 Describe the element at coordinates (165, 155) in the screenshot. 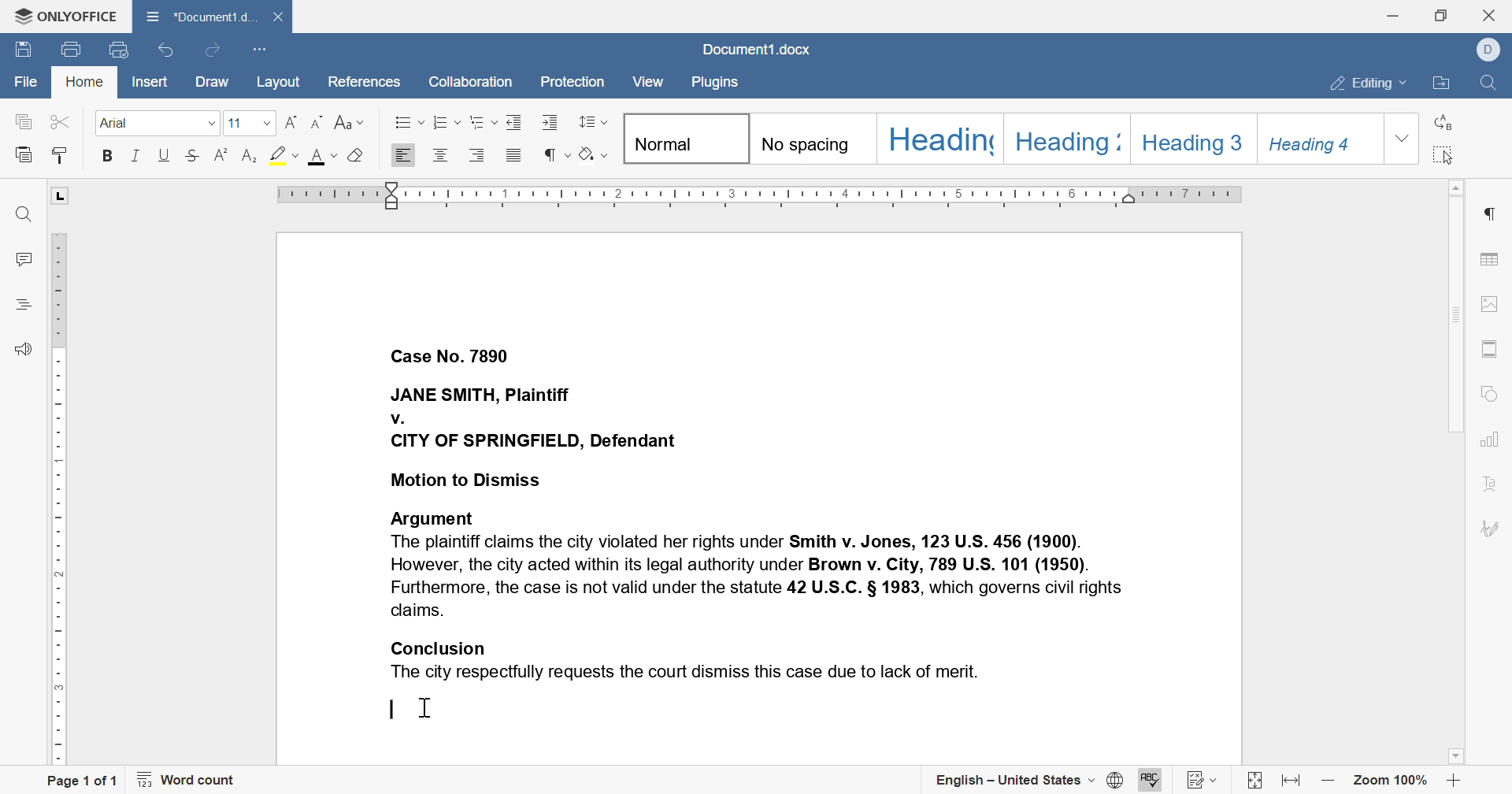

I see `underline` at that location.